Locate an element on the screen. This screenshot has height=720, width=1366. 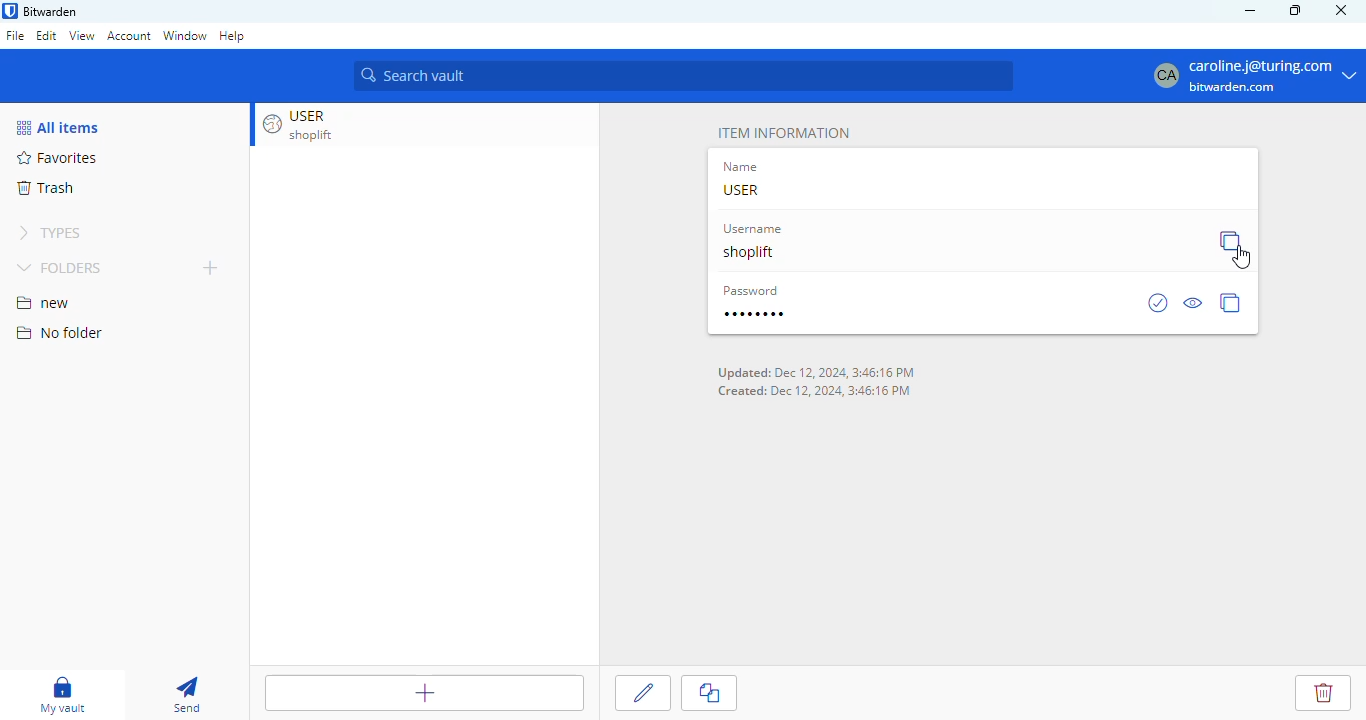
copy username is located at coordinates (1229, 240).